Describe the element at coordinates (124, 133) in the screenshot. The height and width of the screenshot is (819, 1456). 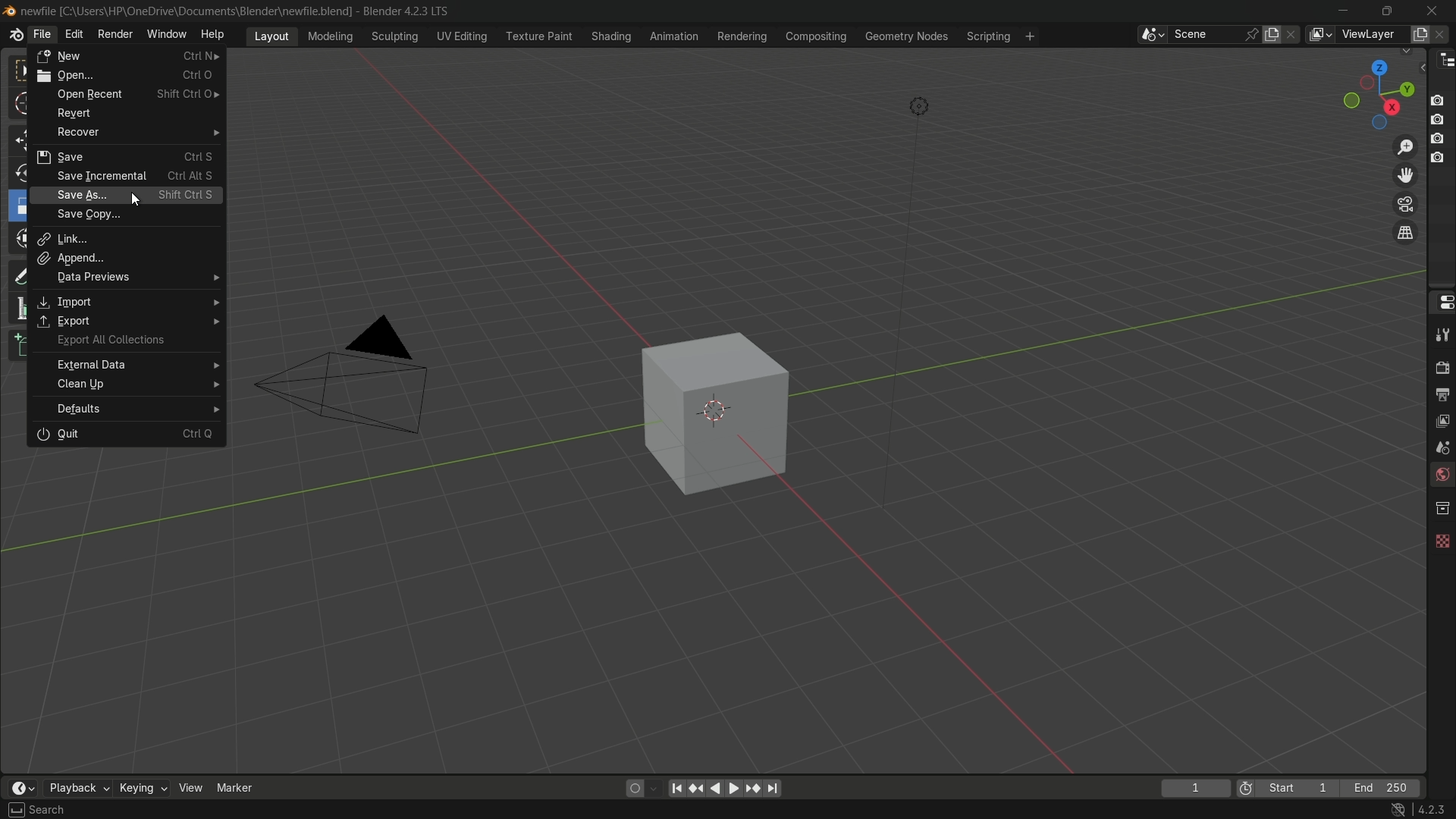
I see `recover` at that location.